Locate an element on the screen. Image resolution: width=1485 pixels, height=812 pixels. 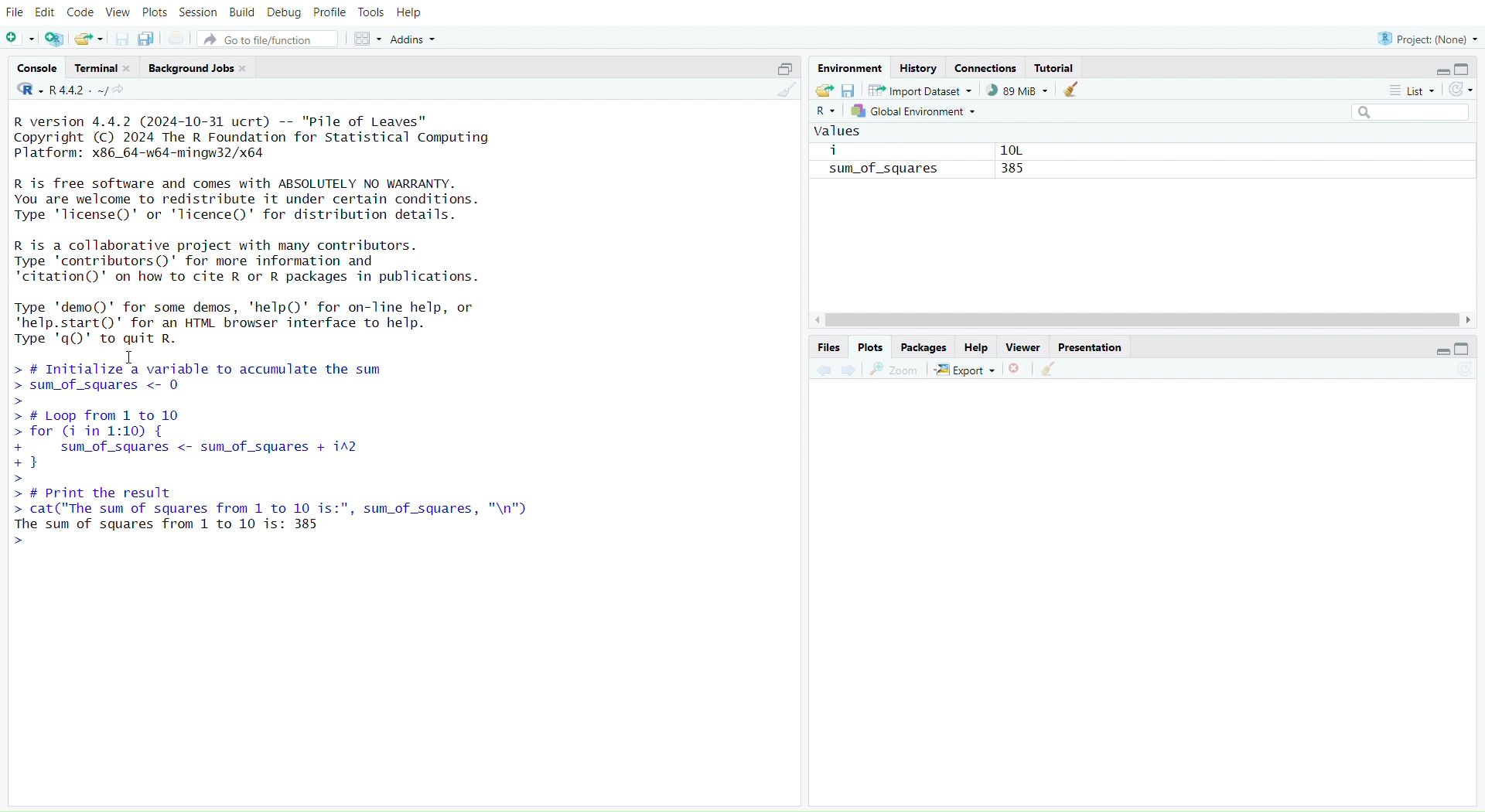
forward is located at coordinates (850, 371).